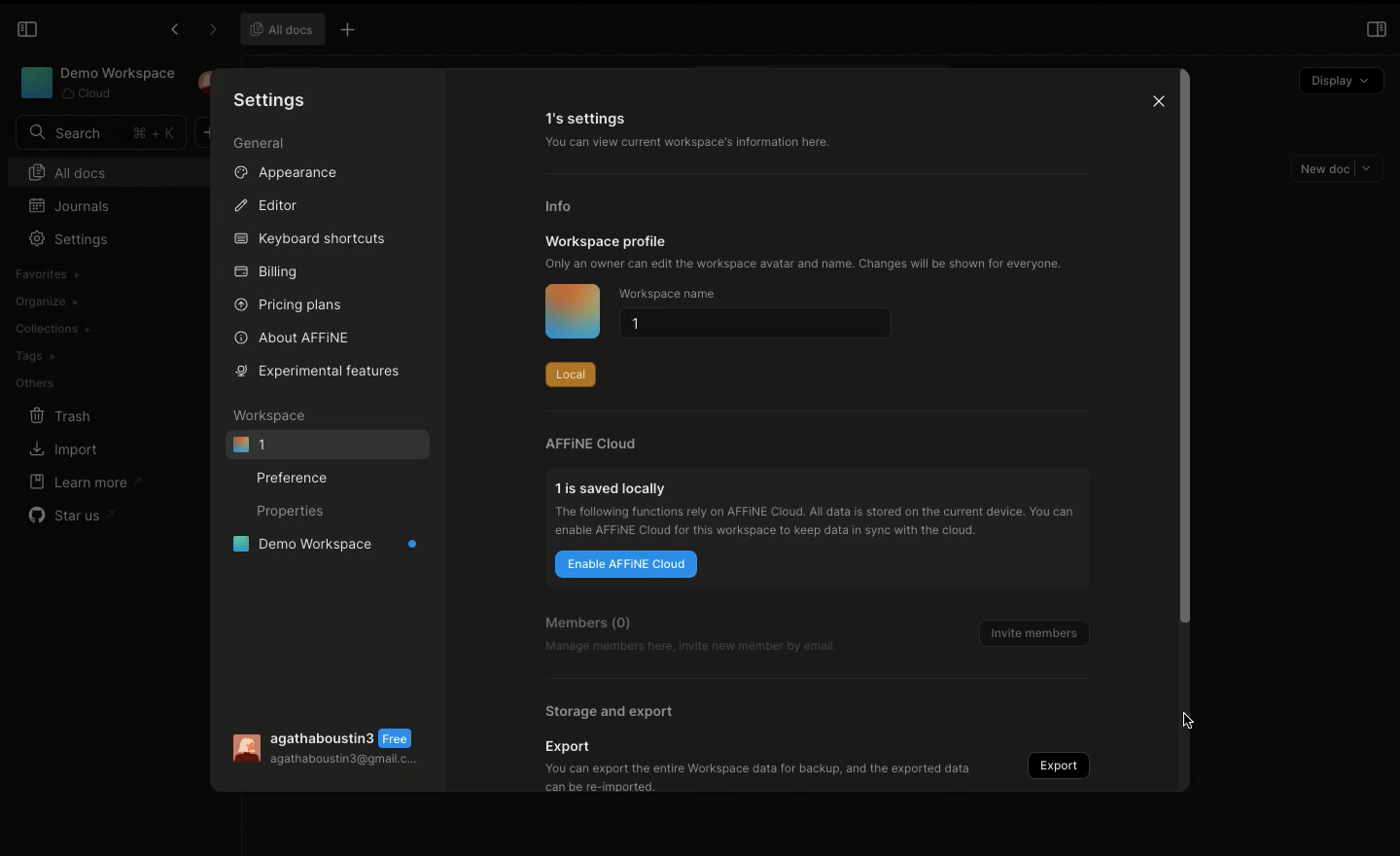  I want to click on Export, so click(1063, 767).